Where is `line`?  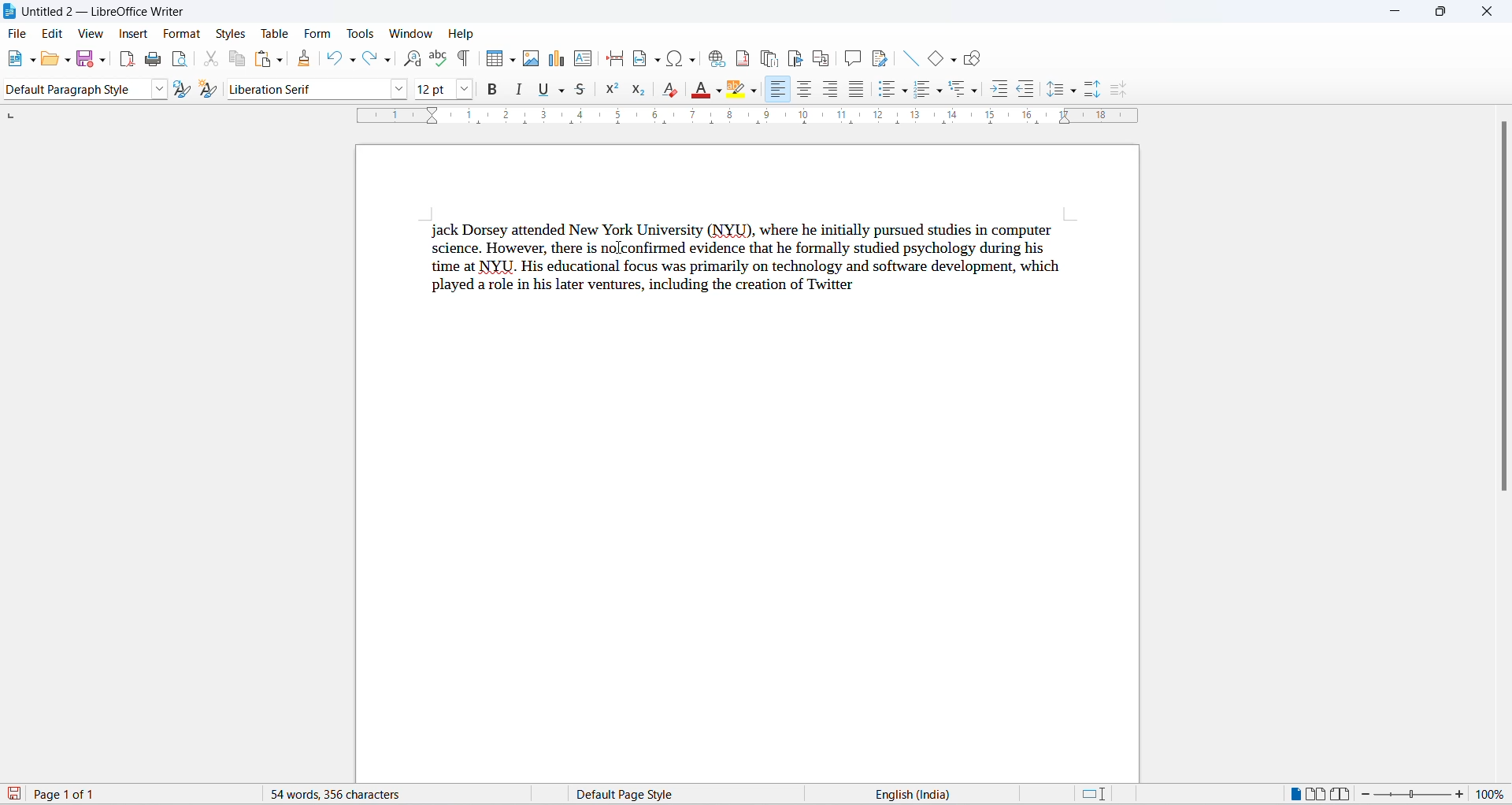
line is located at coordinates (913, 58).